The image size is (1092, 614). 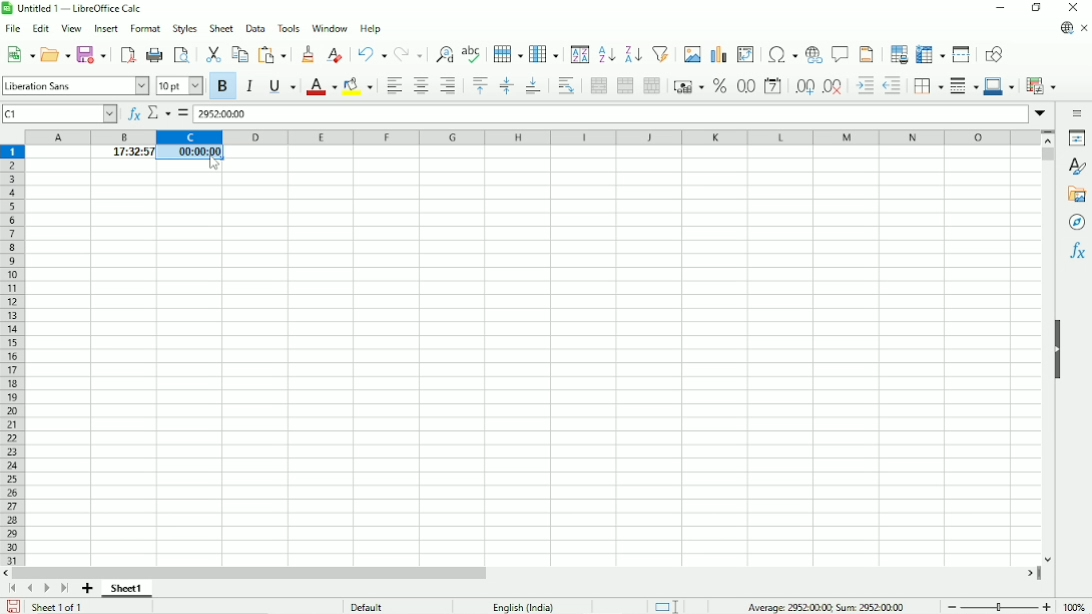 What do you see at coordinates (255, 28) in the screenshot?
I see `Data` at bounding box center [255, 28].